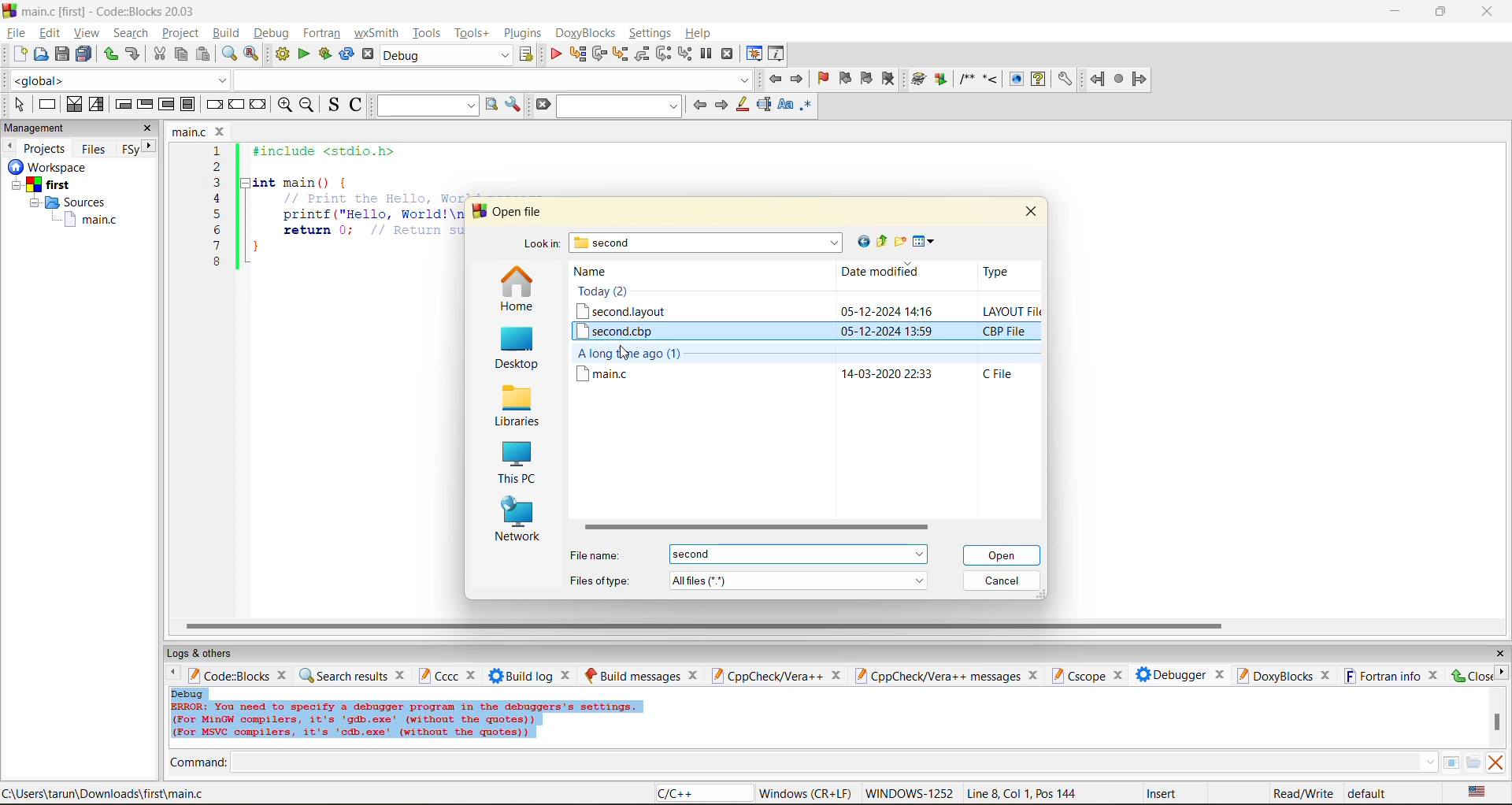  What do you see at coordinates (343, 675) in the screenshot?
I see `search results` at bounding box center [343, 675].